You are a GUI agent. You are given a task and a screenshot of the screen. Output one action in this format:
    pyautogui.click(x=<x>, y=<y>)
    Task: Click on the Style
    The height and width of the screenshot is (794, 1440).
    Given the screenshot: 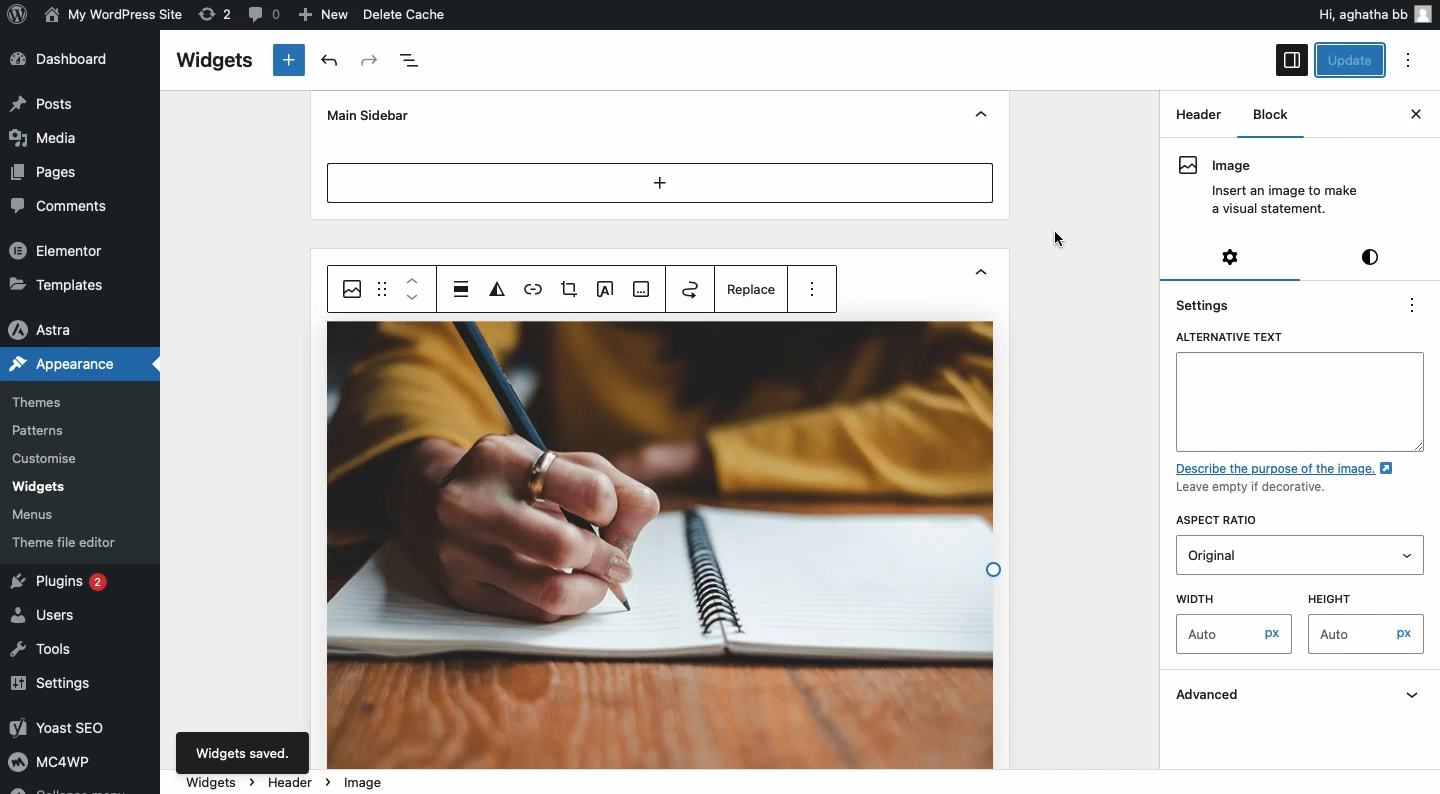 What is the action you would take?
    pyautogui.click(x=1373, y=256)
    